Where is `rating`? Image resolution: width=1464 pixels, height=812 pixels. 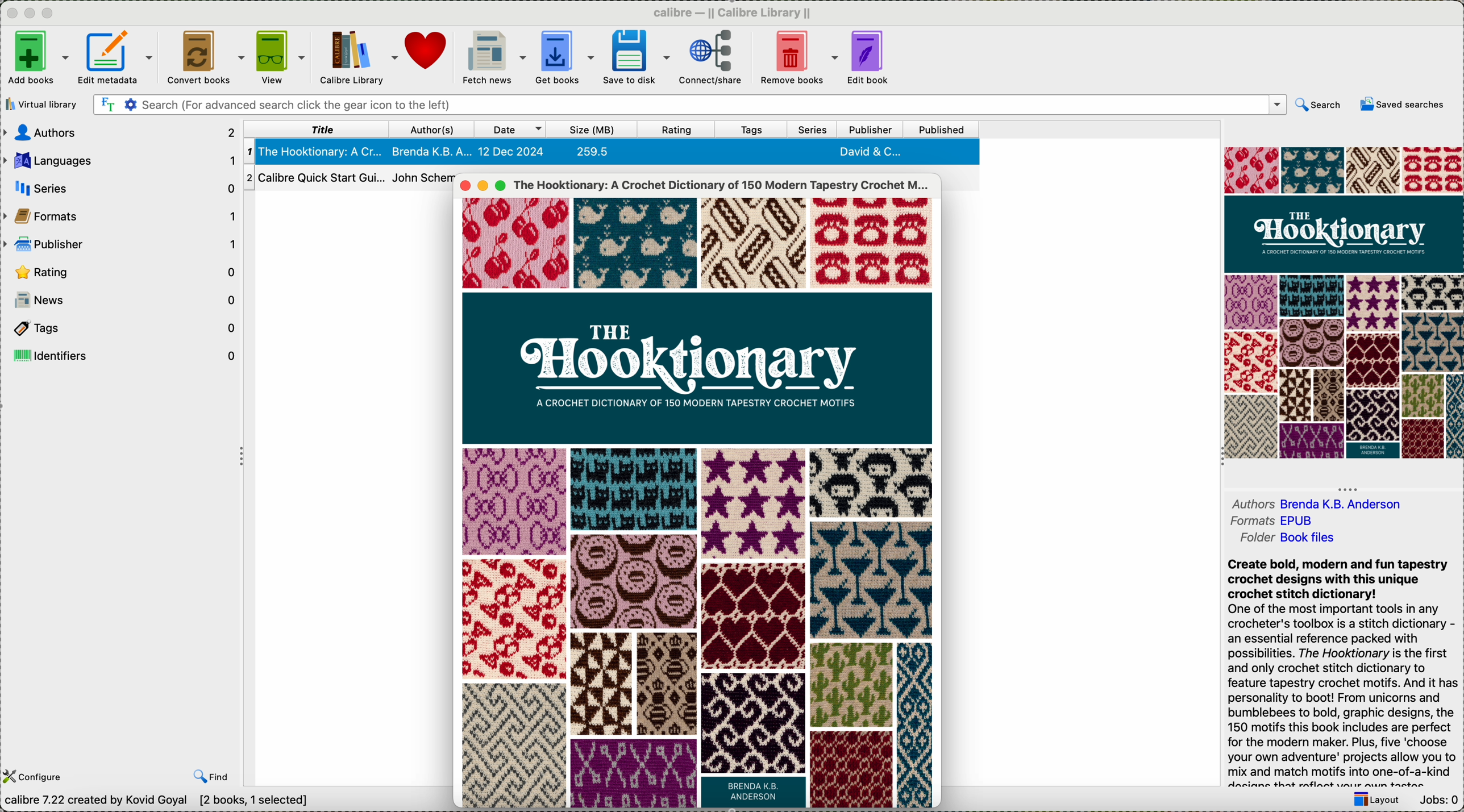
rating is located at coordinates (674, 130).